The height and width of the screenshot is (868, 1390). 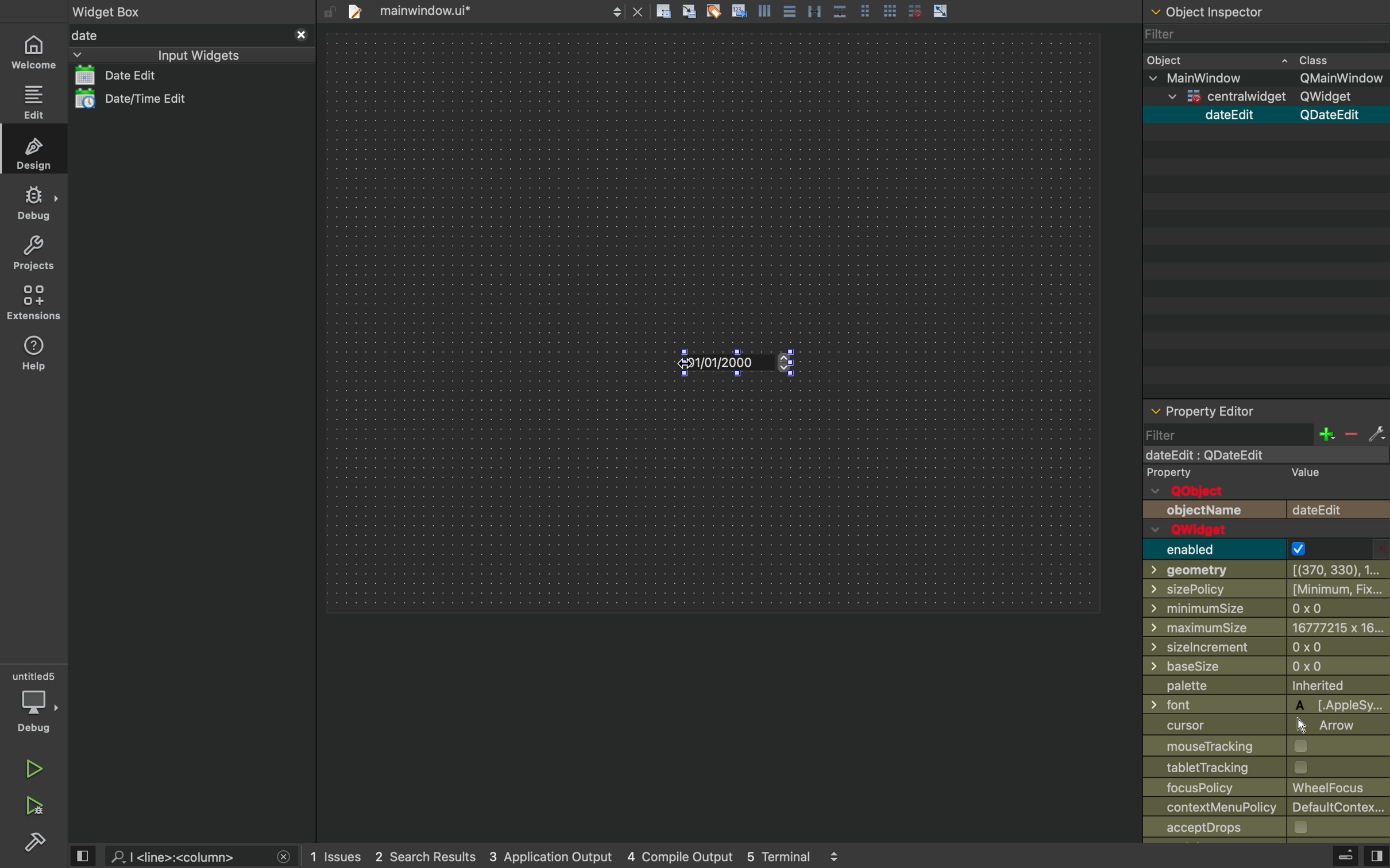 I want to click on align left, so click(x=763, y=10).